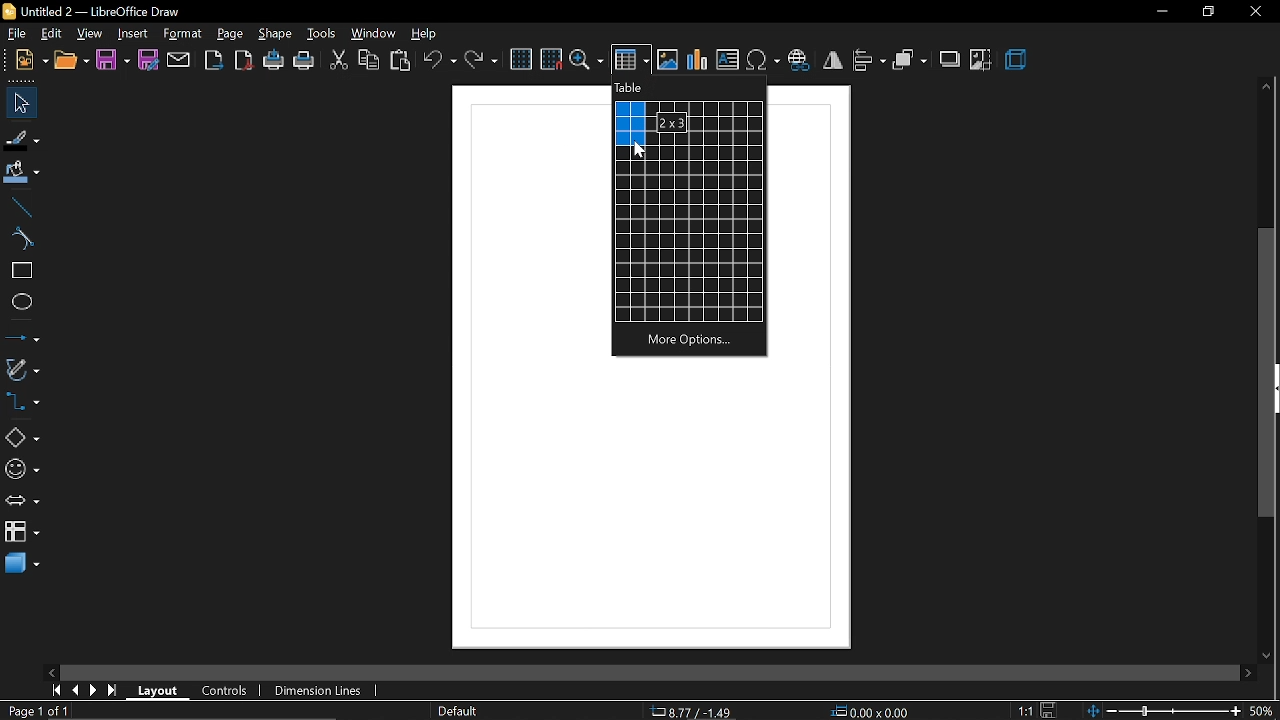 The width and height of the screenshot is (1280, 720). Describe the element at coordinates (147, 59) in the screenshot. I see `save as` at that location.